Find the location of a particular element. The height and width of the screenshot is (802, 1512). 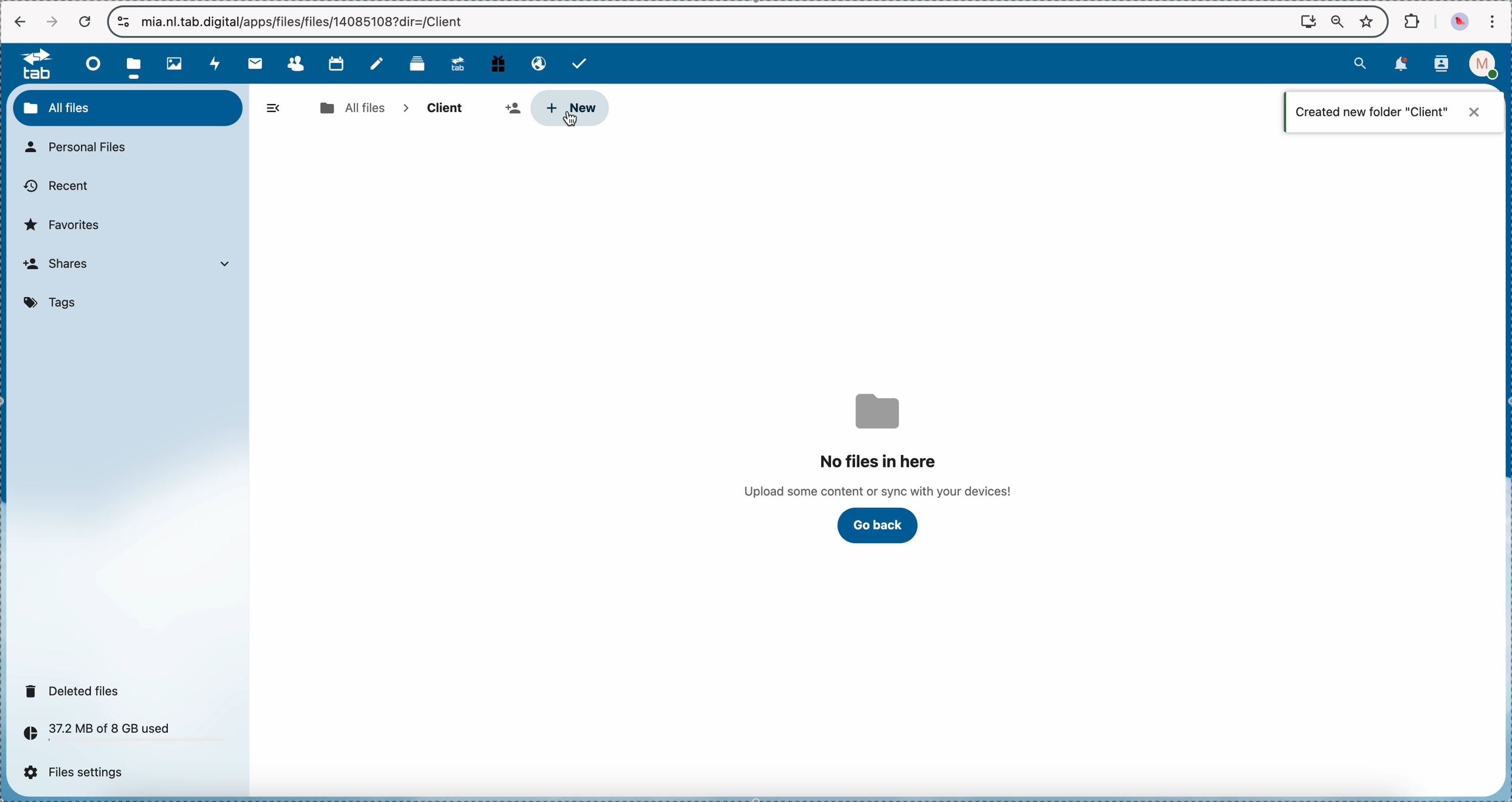

free is located at coordinates (498, 62).